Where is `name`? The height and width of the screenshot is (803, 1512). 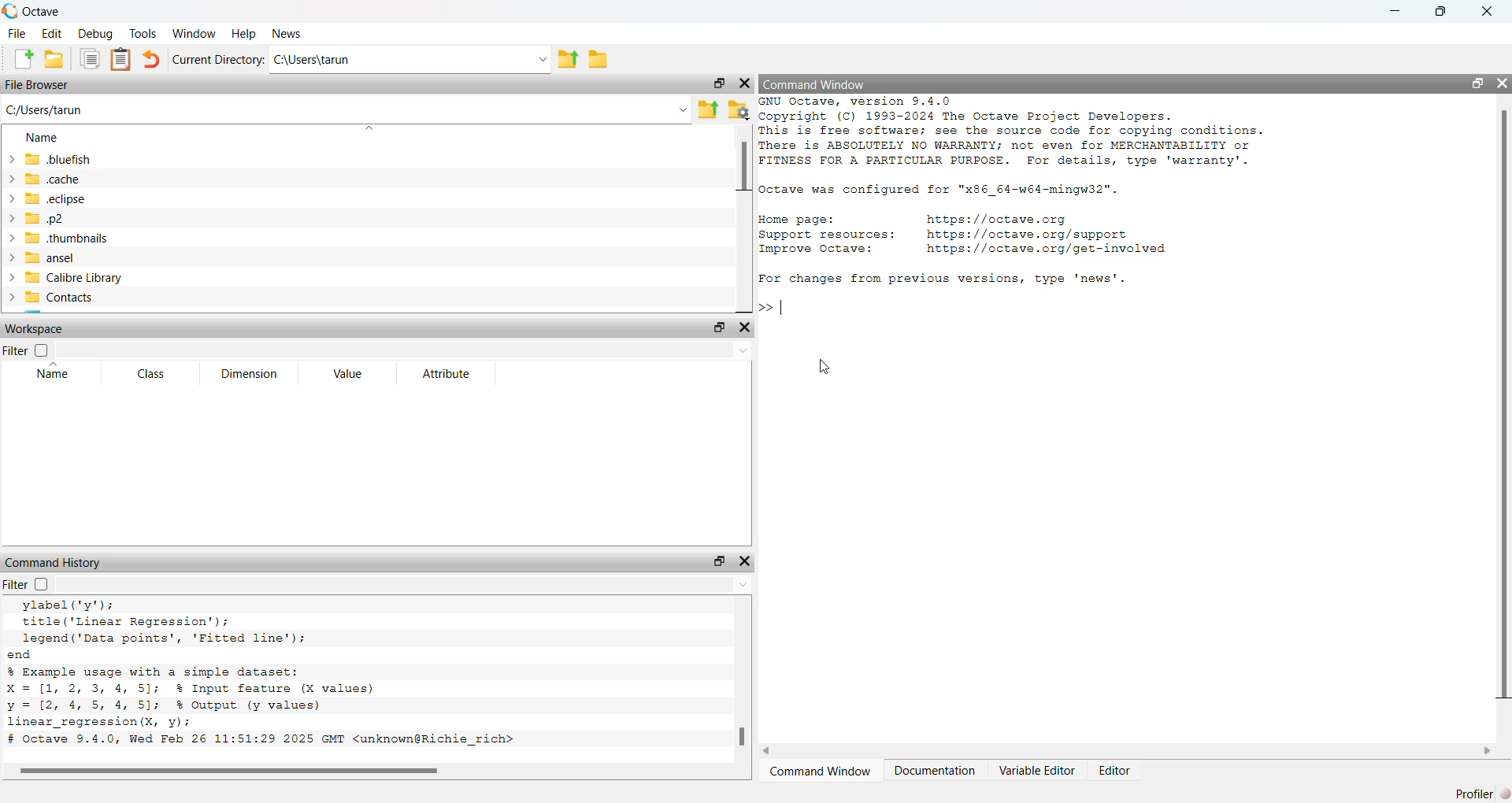 name is located at coordinates (51, 375).